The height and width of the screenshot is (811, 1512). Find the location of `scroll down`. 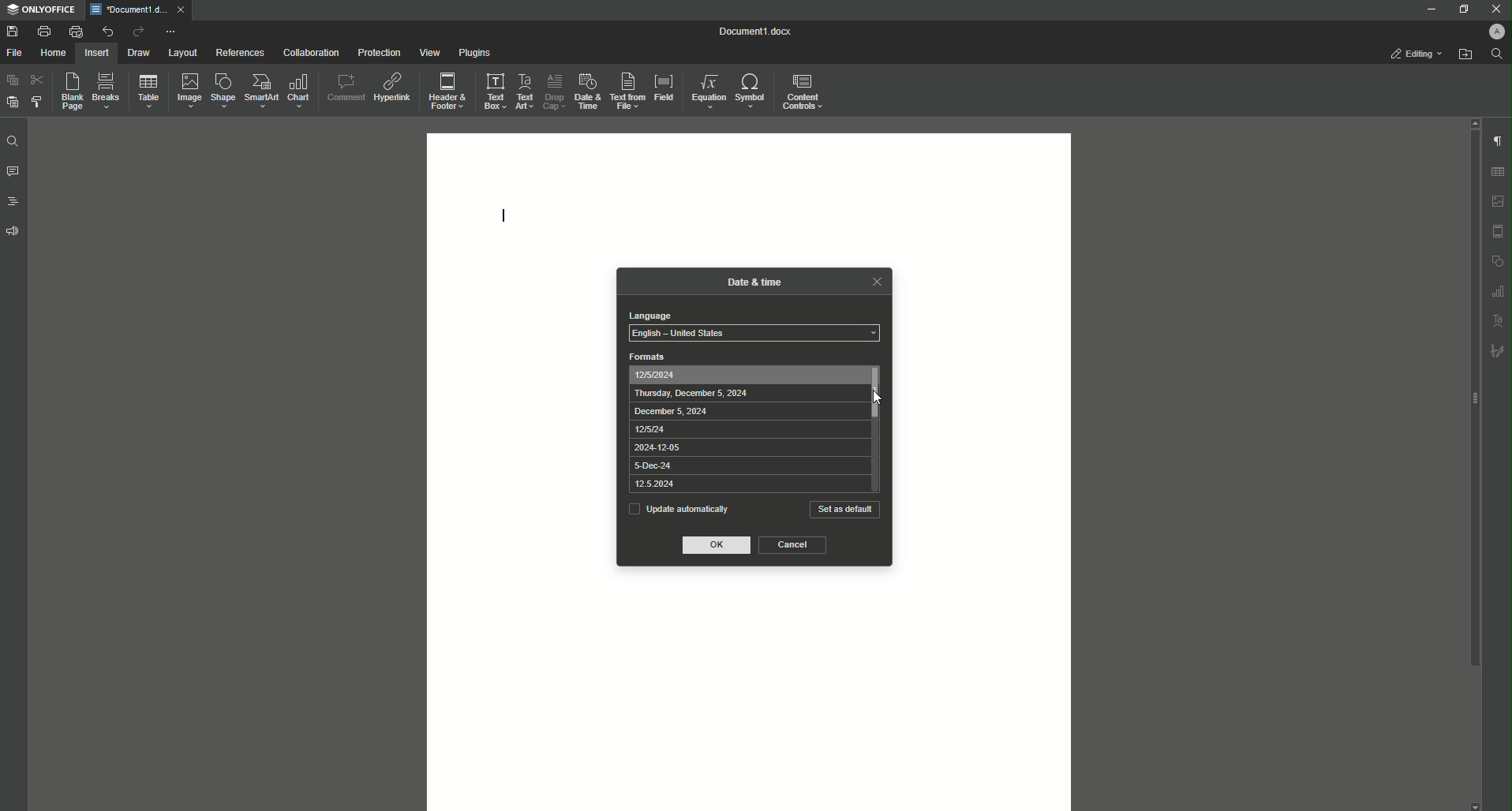

scroll down is located at coordinates (1475, 806).